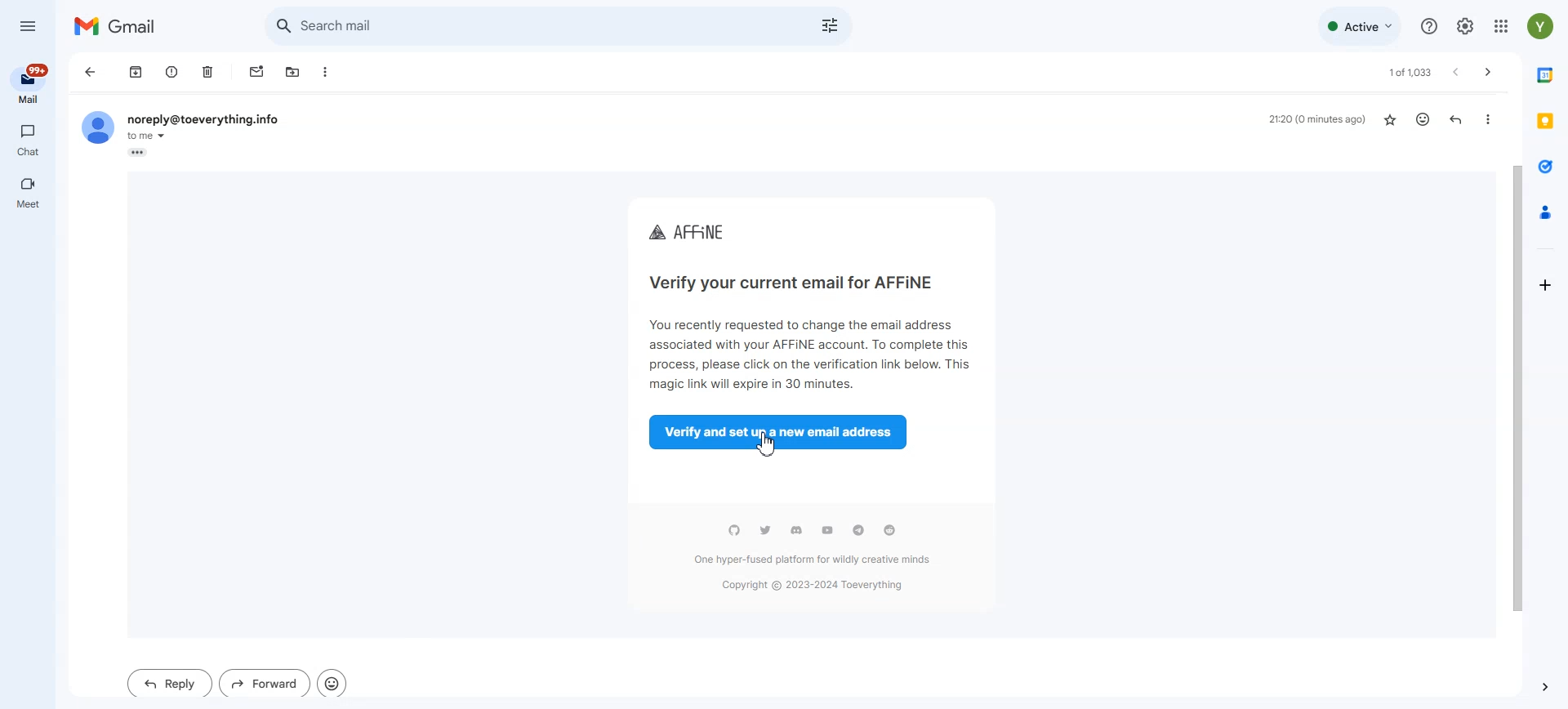  Describe the element at coordinates (28, 84) in the screenshot. I see `Mail` at that location.